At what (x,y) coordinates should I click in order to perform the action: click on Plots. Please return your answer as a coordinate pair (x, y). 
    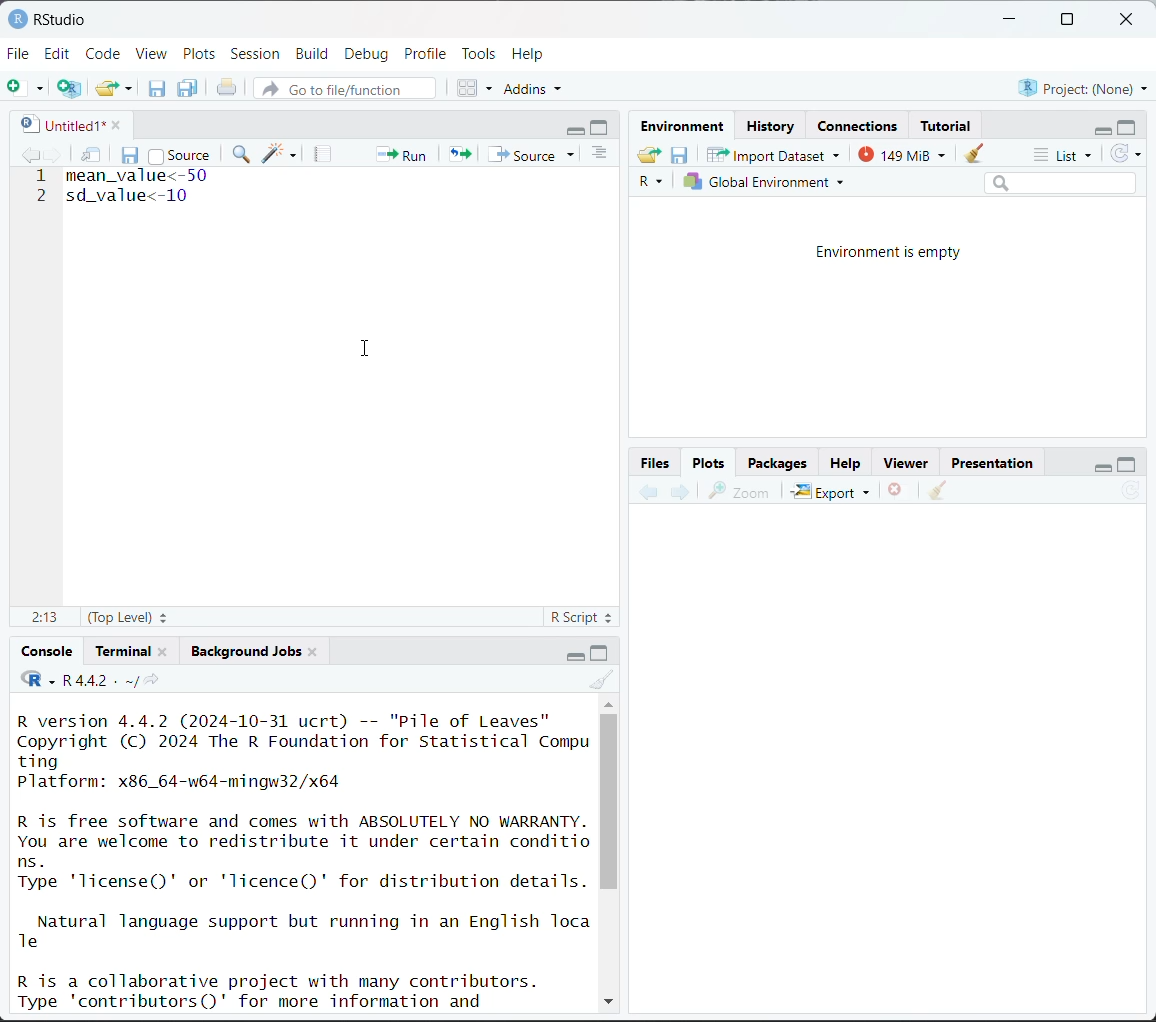
    Looking at the image, I should click on (709, 461).